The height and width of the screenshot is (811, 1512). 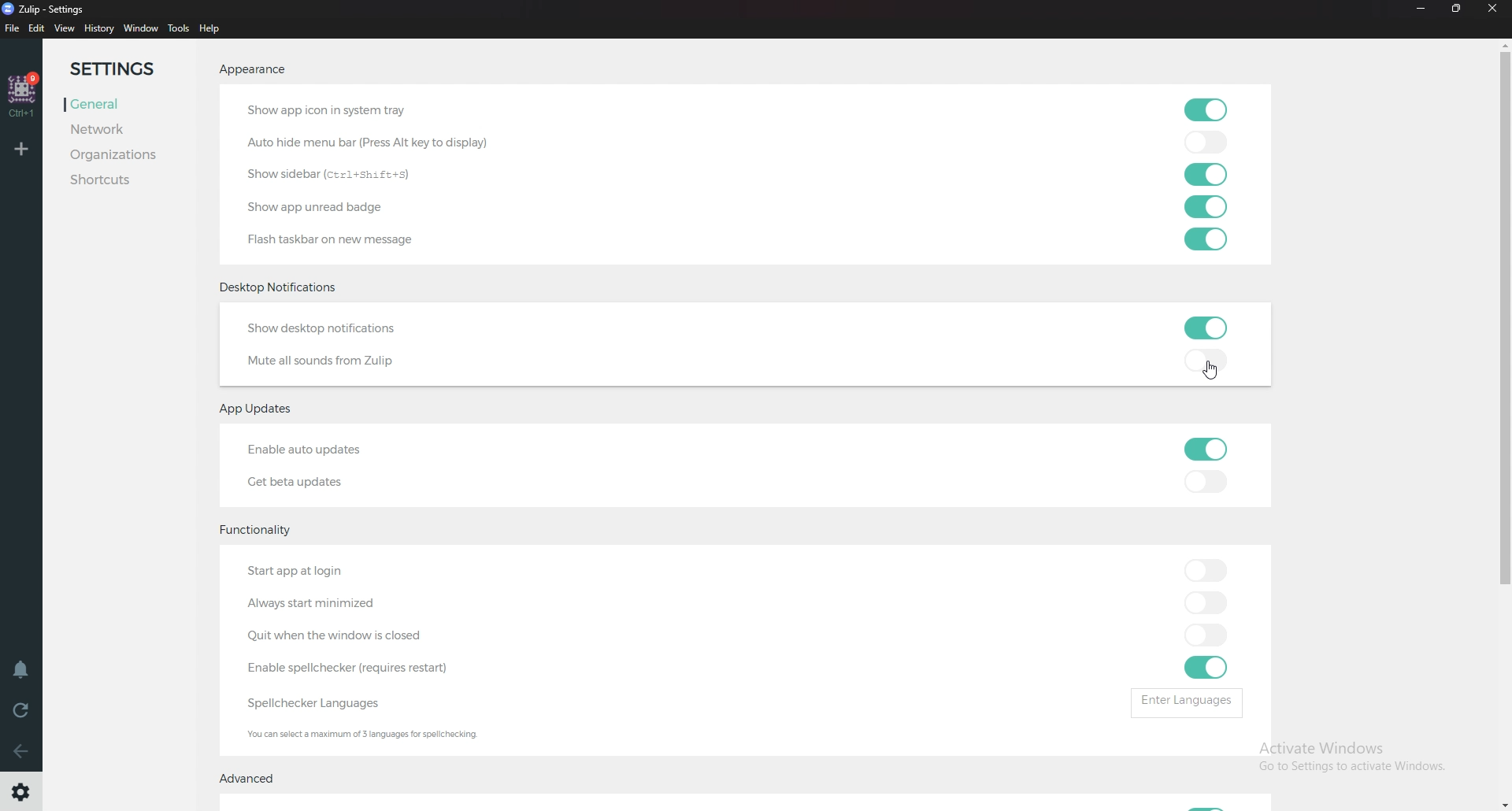 I want to click on back, so click(x=22, y=752).